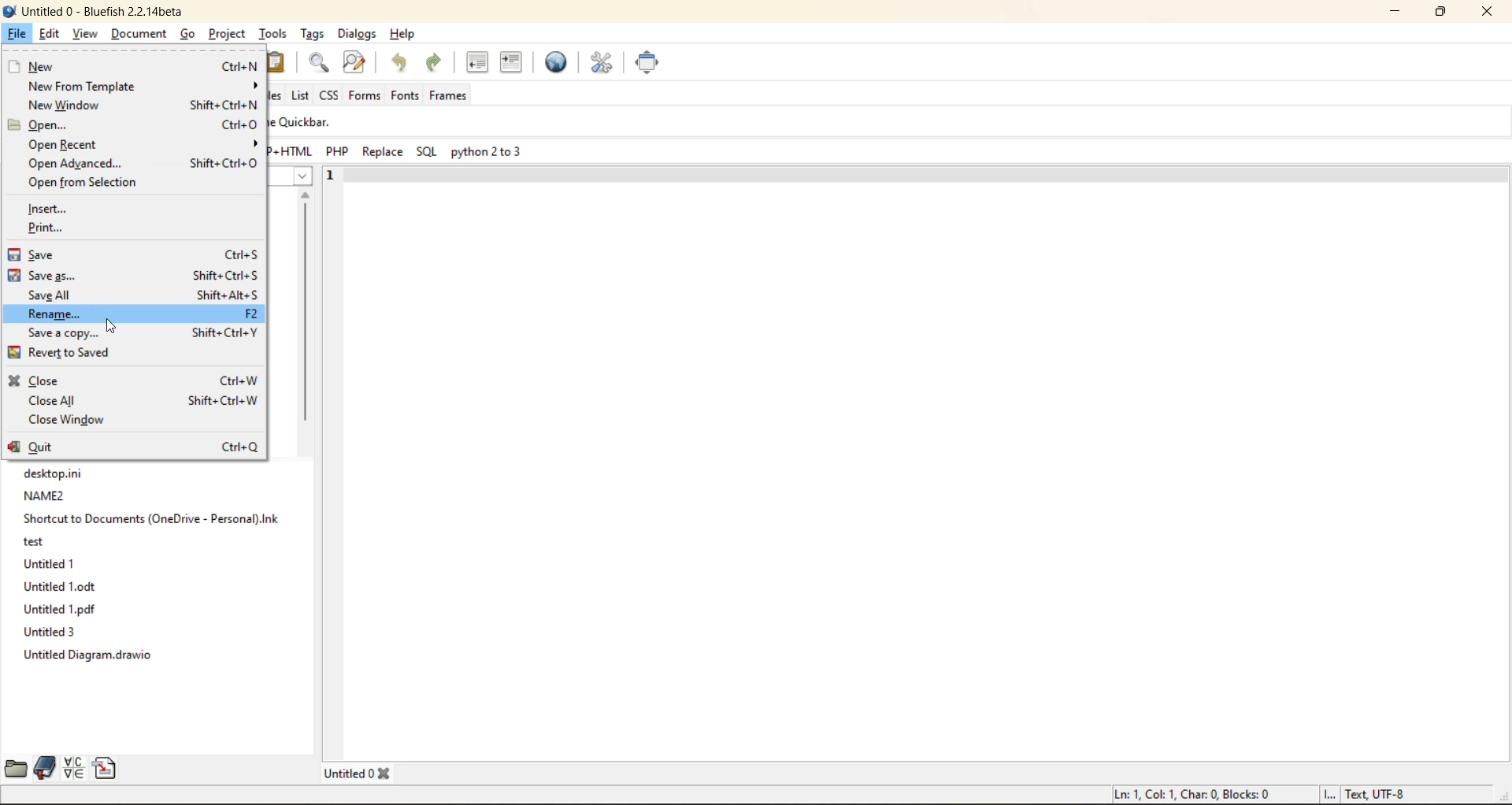 Image resolution: width=1512 pixels, height=805 pixels. I want to click on close, so click(50, 377).